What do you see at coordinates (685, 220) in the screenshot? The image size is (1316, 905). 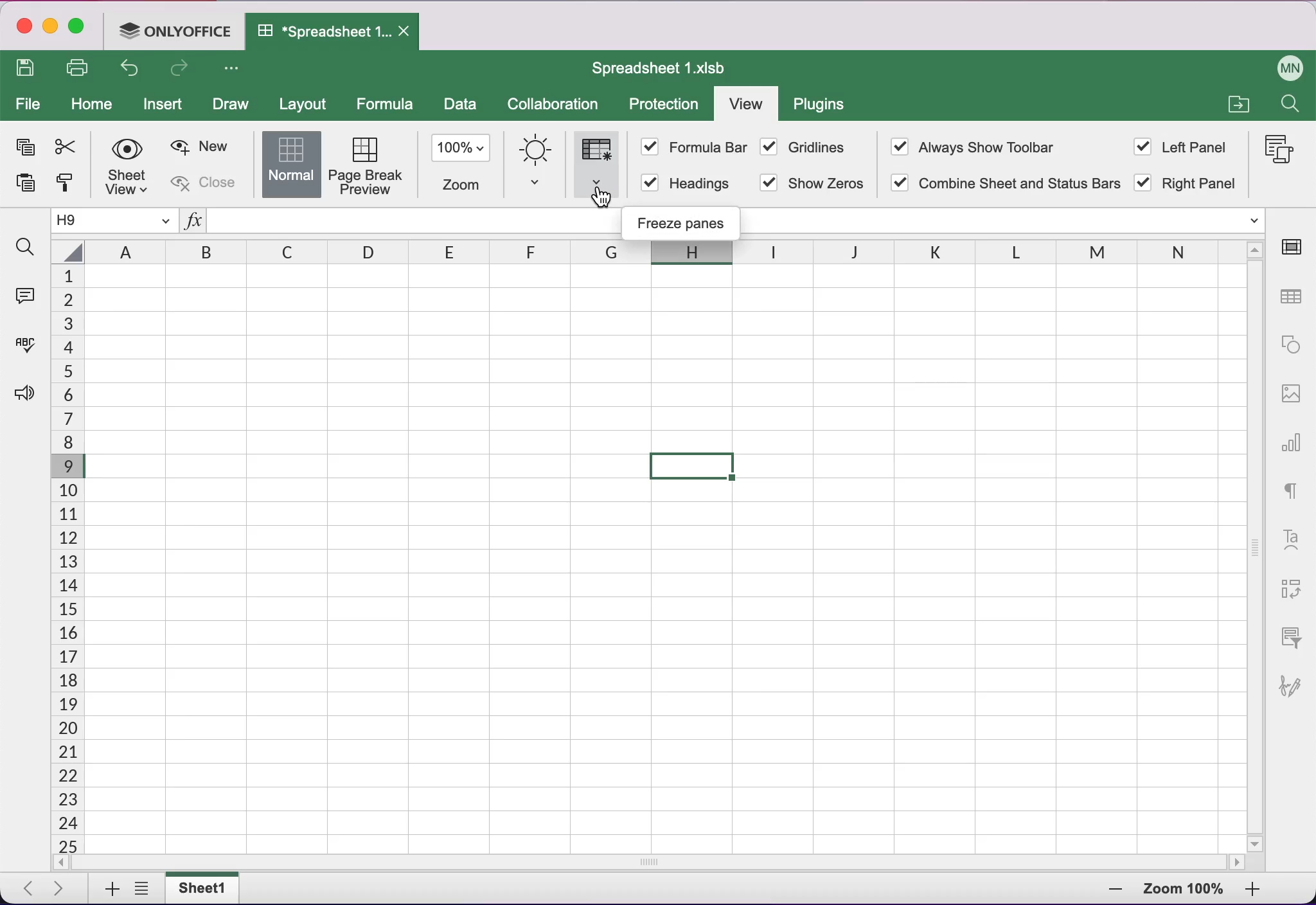 I see `freeze panes sign` at bounding box center [685, 220].